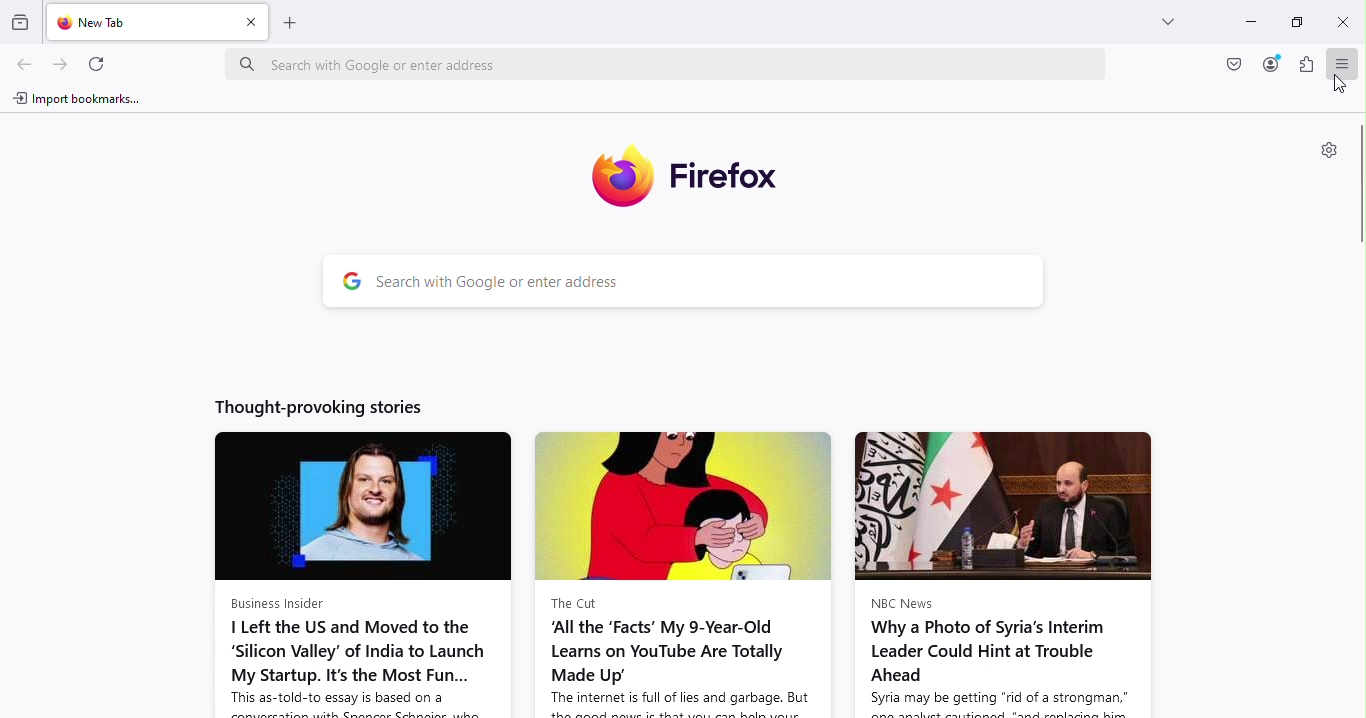  What do you see at coordinates (346, 281) in the screenshot?
I see `google logo` at bounding box center [346, 281].